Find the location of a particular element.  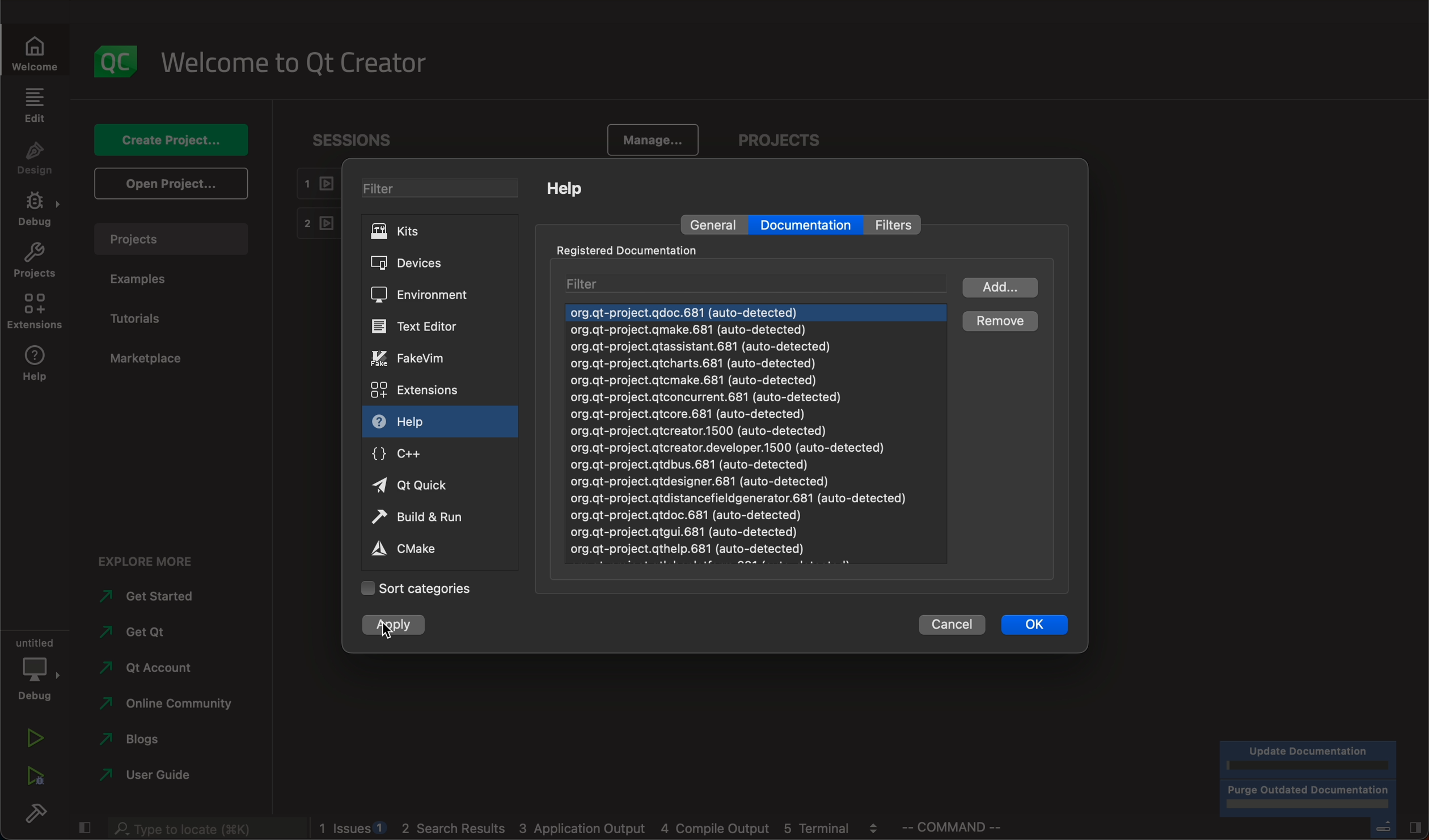

close slide bar is located at coordinates (88, 826).